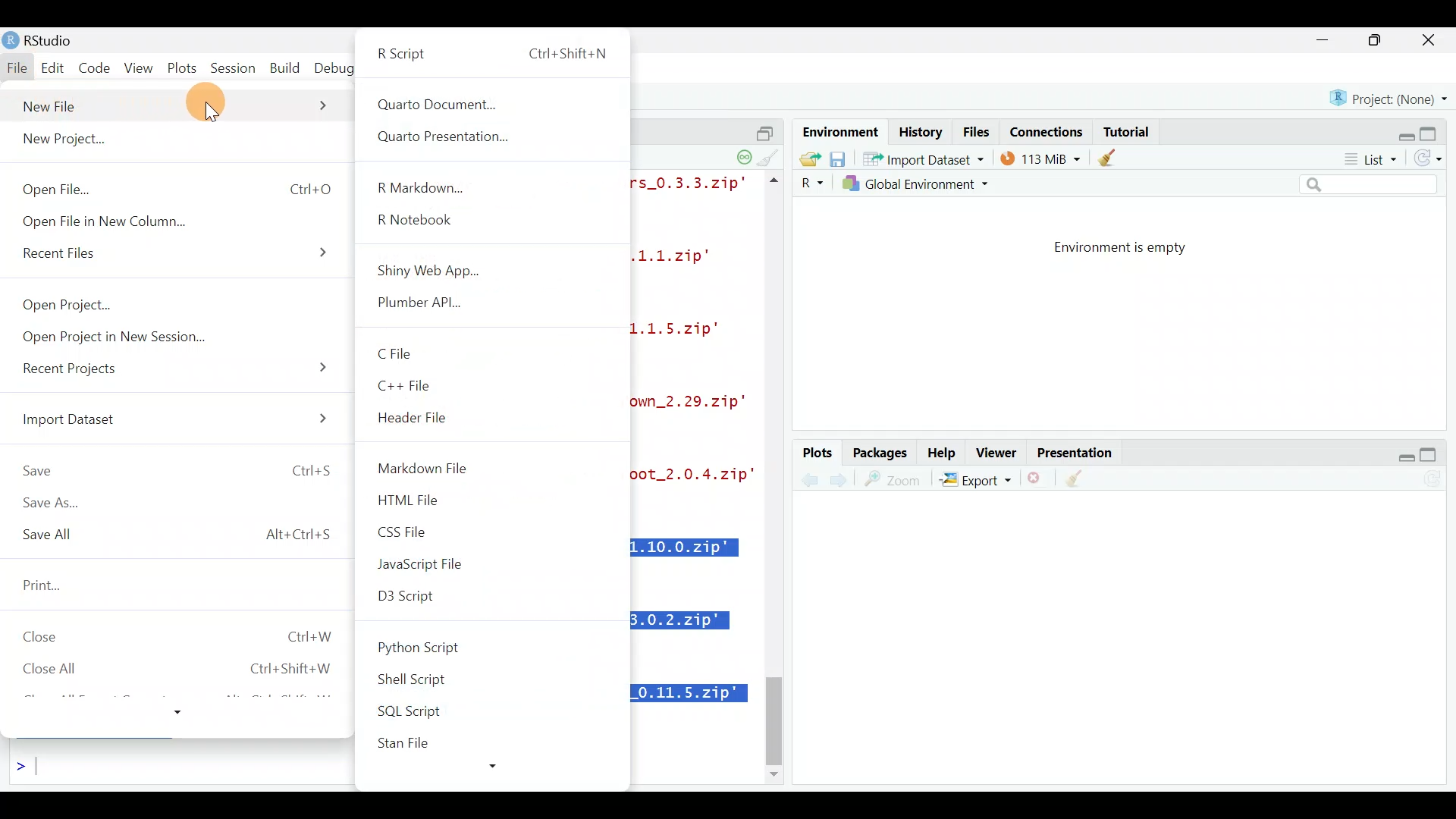 This screenshot has height=819, width=1456. Describe the element at coordinates (1436, 130) in the screenshot. I see `Maximize` at that location.